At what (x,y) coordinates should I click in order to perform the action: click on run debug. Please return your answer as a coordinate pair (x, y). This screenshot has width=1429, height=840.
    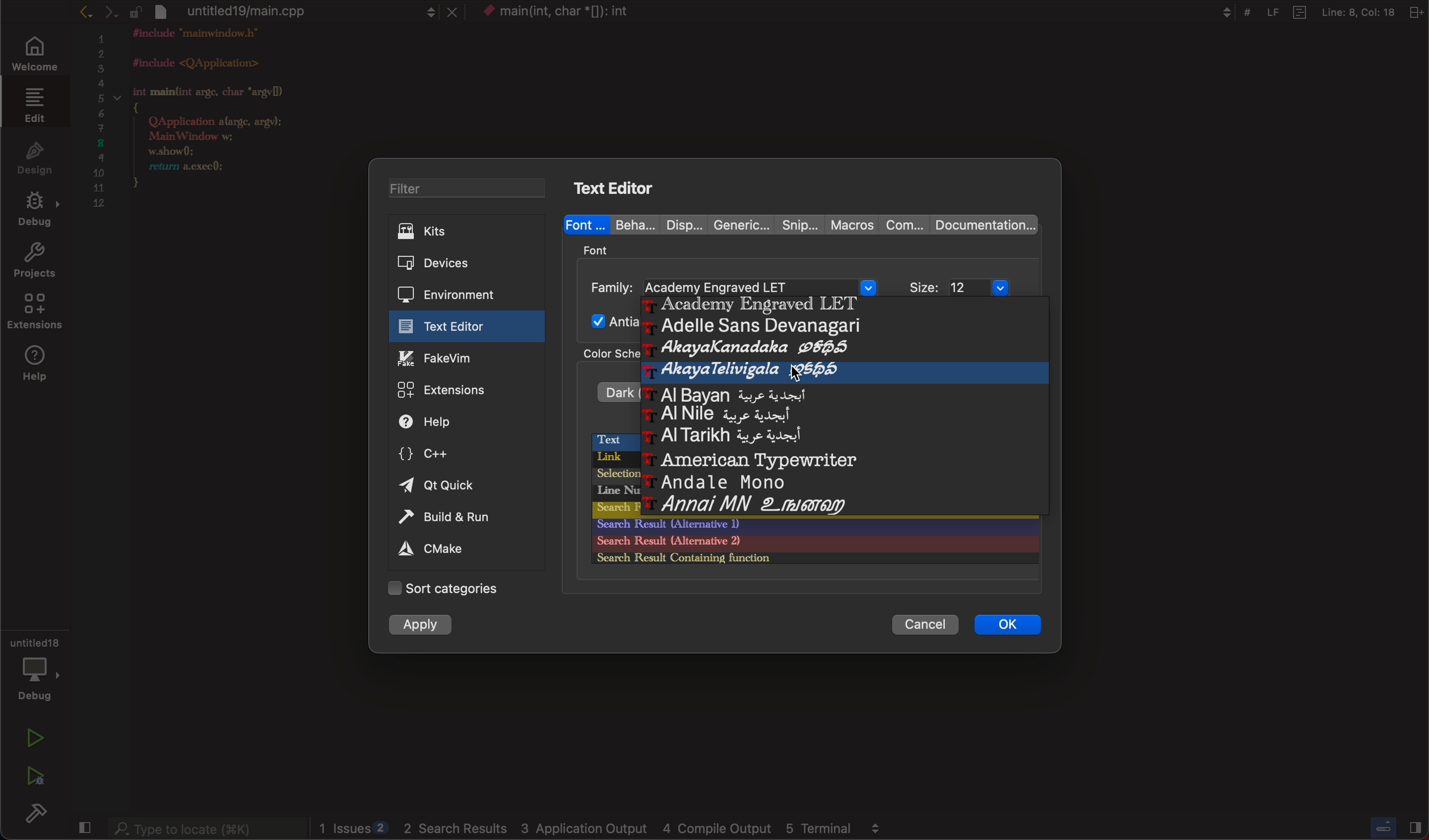
    Looking at the image, I should click on (35, 773).